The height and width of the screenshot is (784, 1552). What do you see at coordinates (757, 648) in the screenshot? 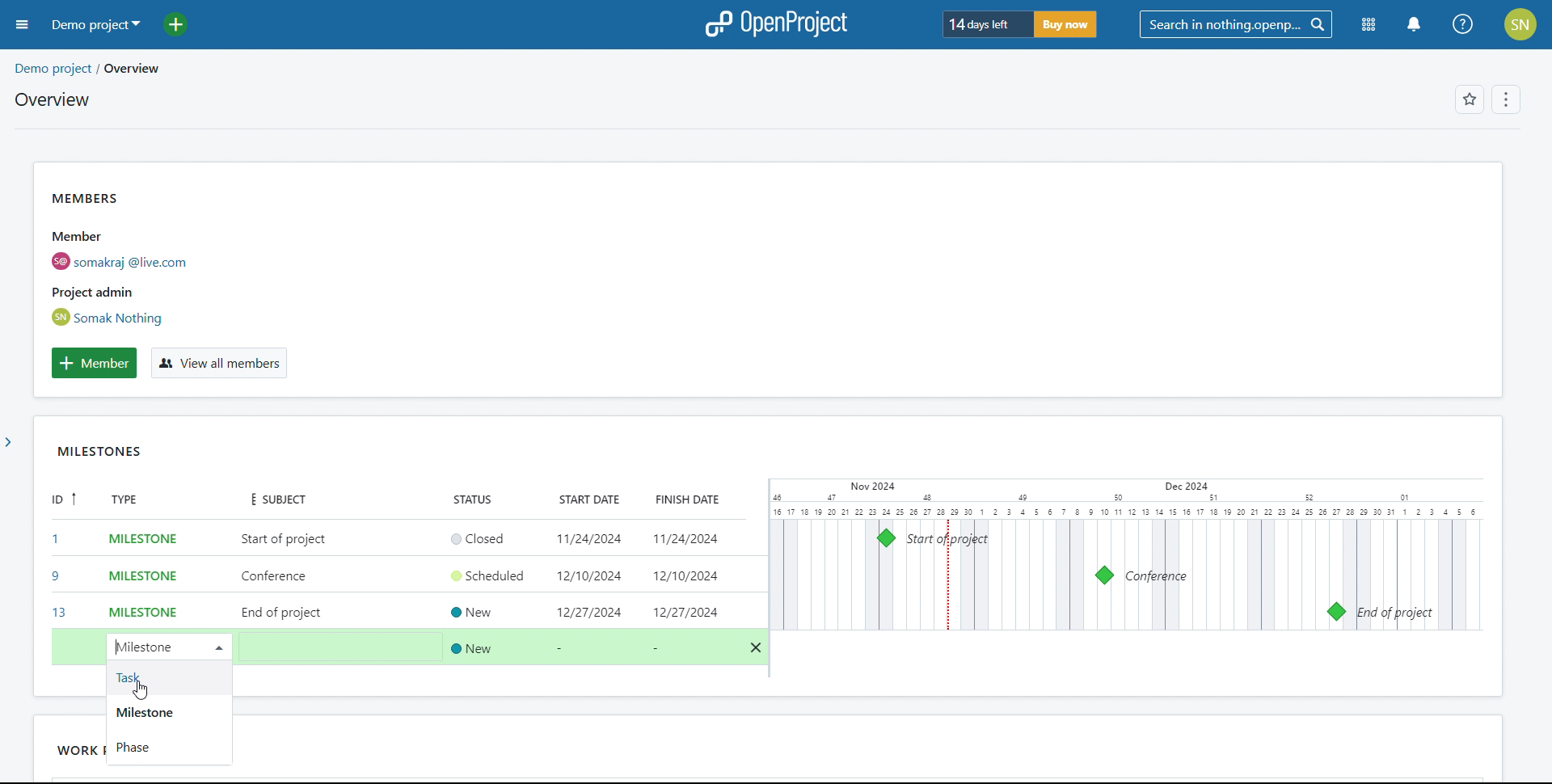
I see `delete` at bounding box center [757, 648].